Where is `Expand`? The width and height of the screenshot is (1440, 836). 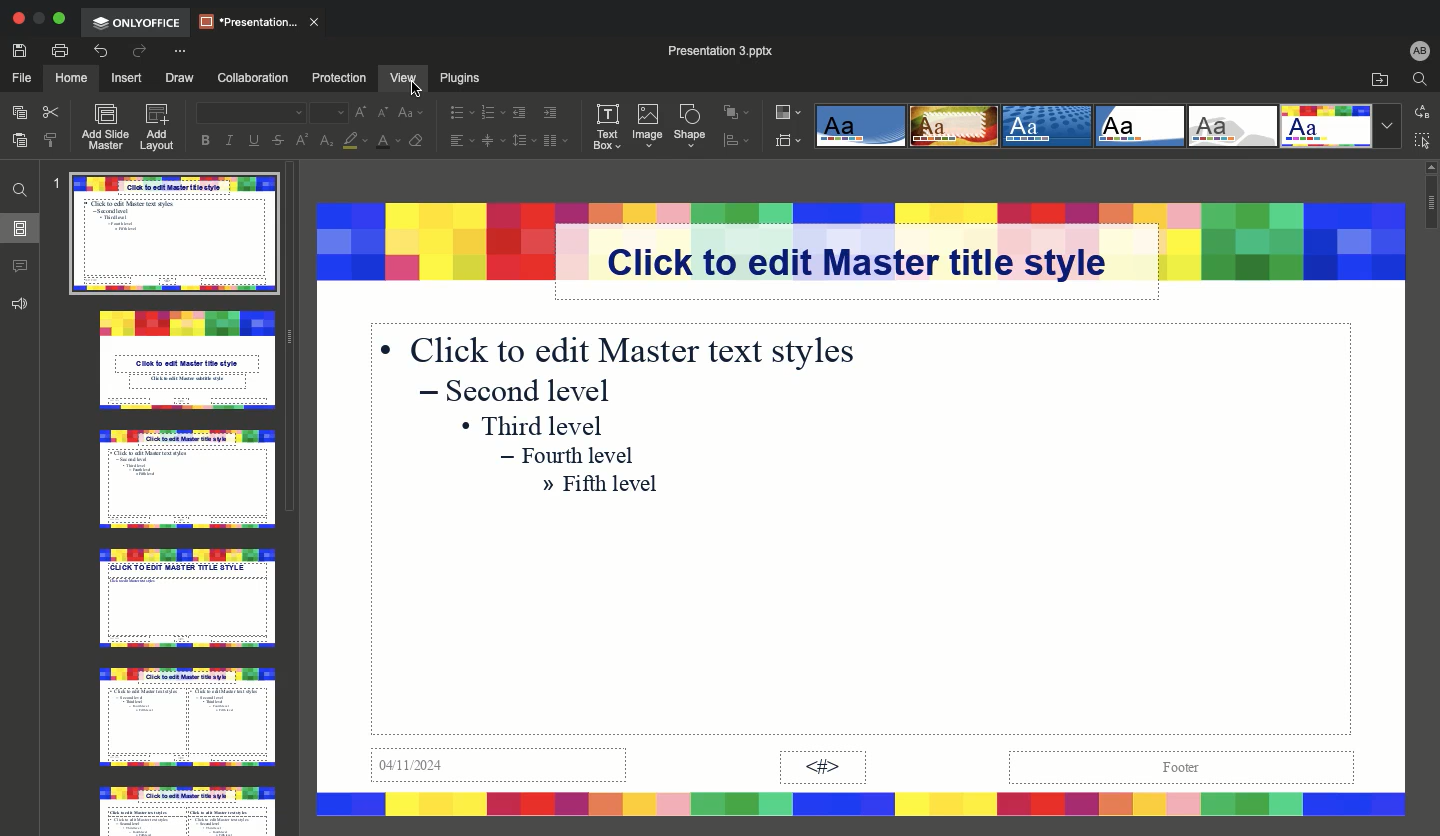
Expand is located at coordinates (59, 19).